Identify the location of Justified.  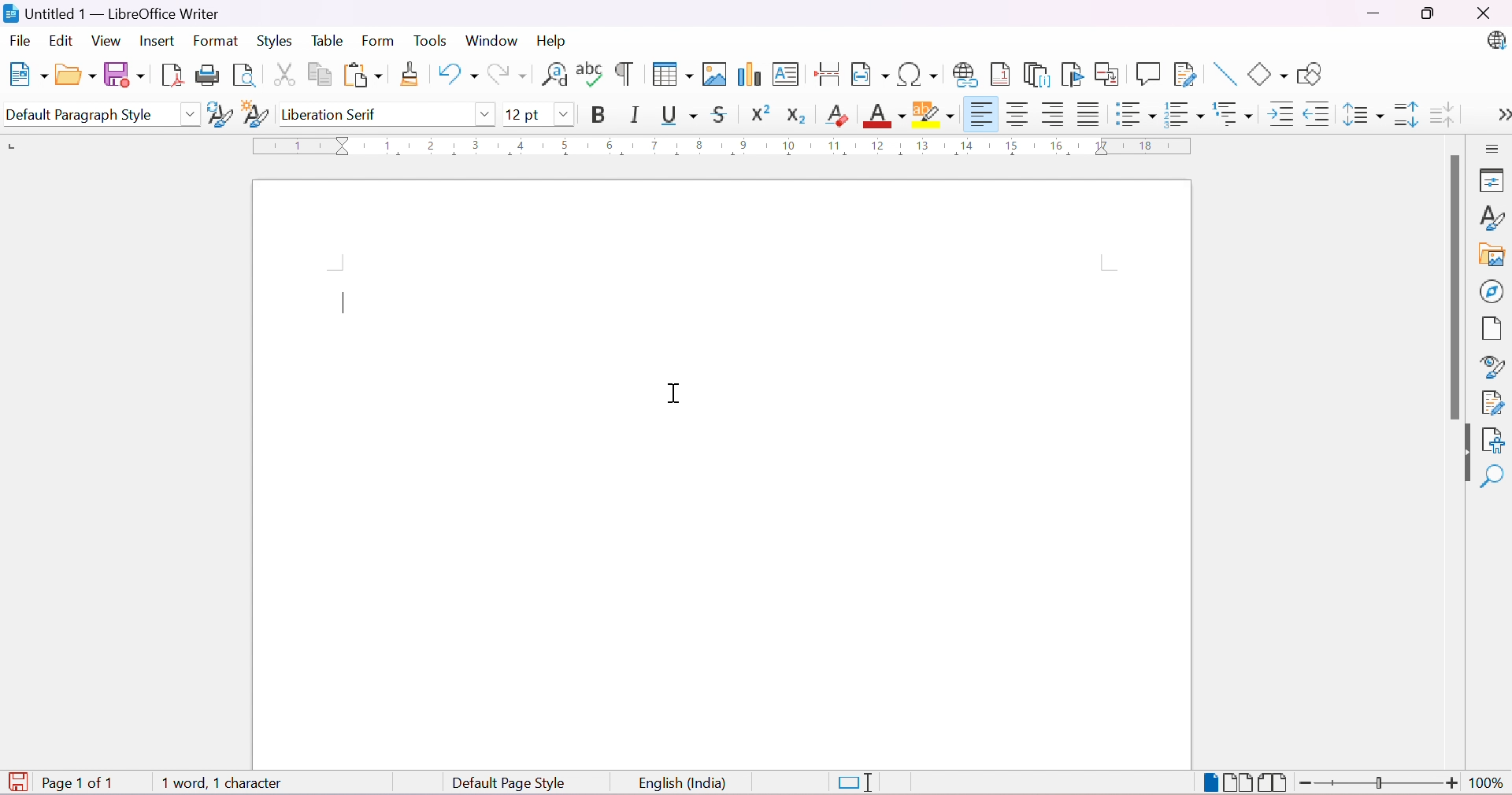
(1088, 113).